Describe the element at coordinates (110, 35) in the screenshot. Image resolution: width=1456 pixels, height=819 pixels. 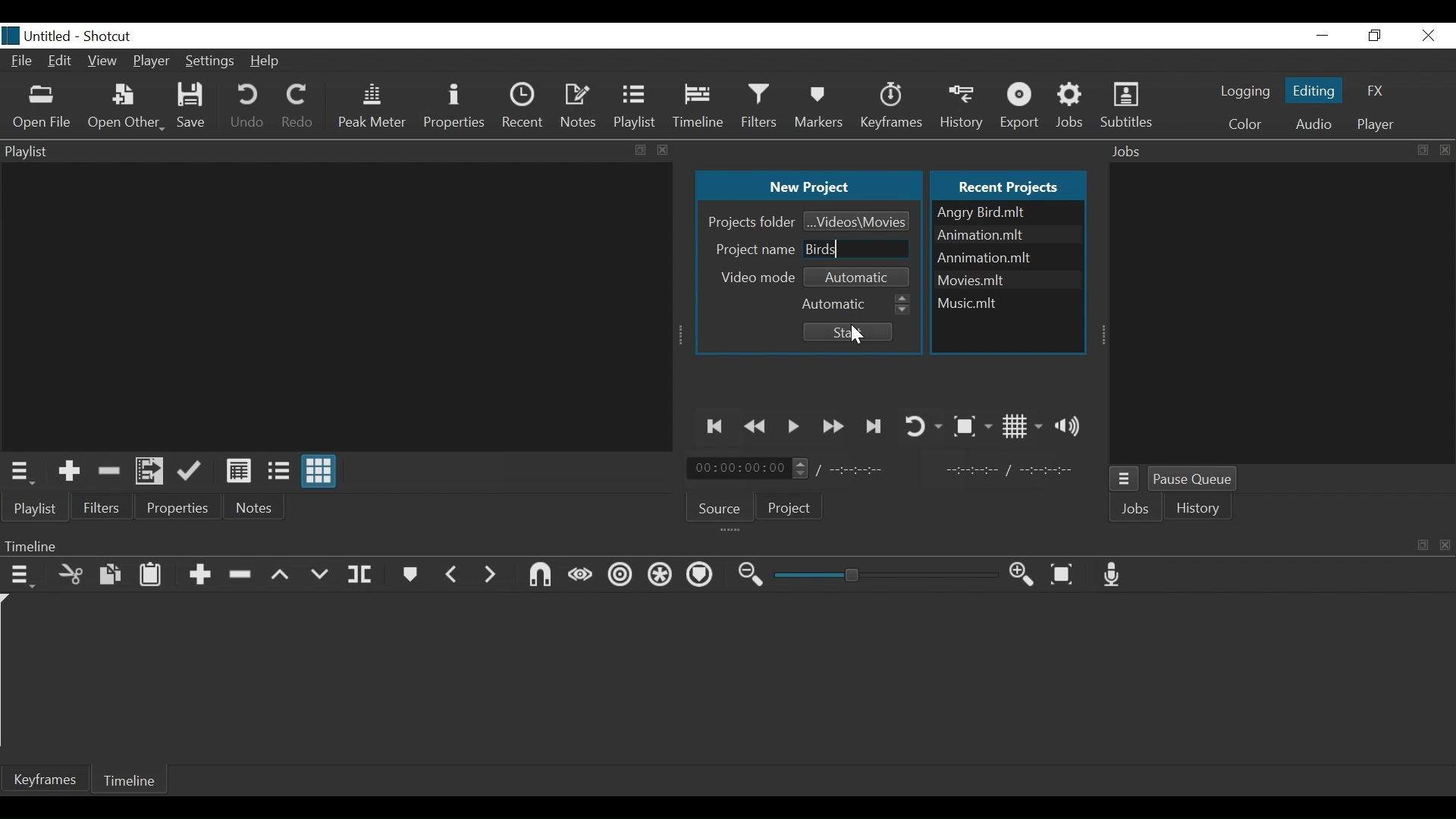
I see `Shotcut` at that location.